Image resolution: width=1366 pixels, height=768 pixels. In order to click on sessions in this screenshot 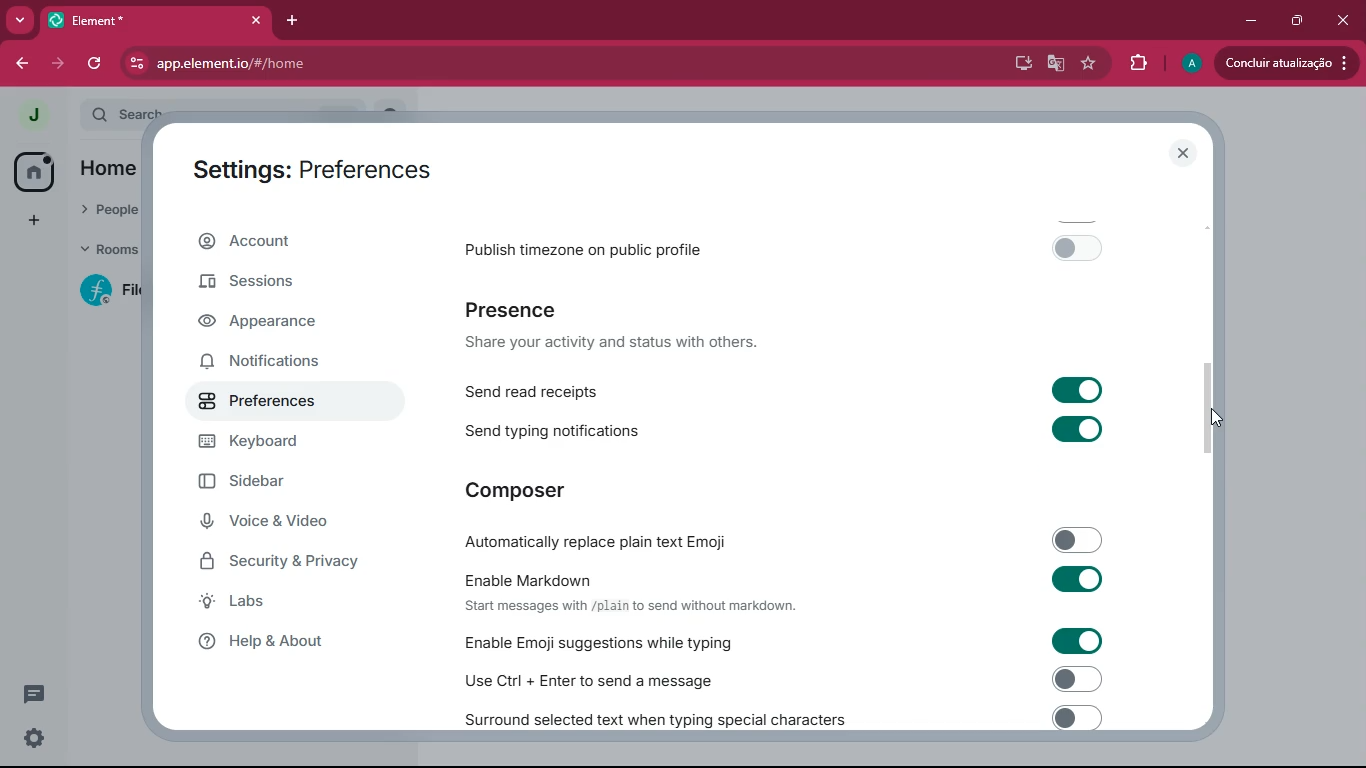, I will do `click(254, 288)`.